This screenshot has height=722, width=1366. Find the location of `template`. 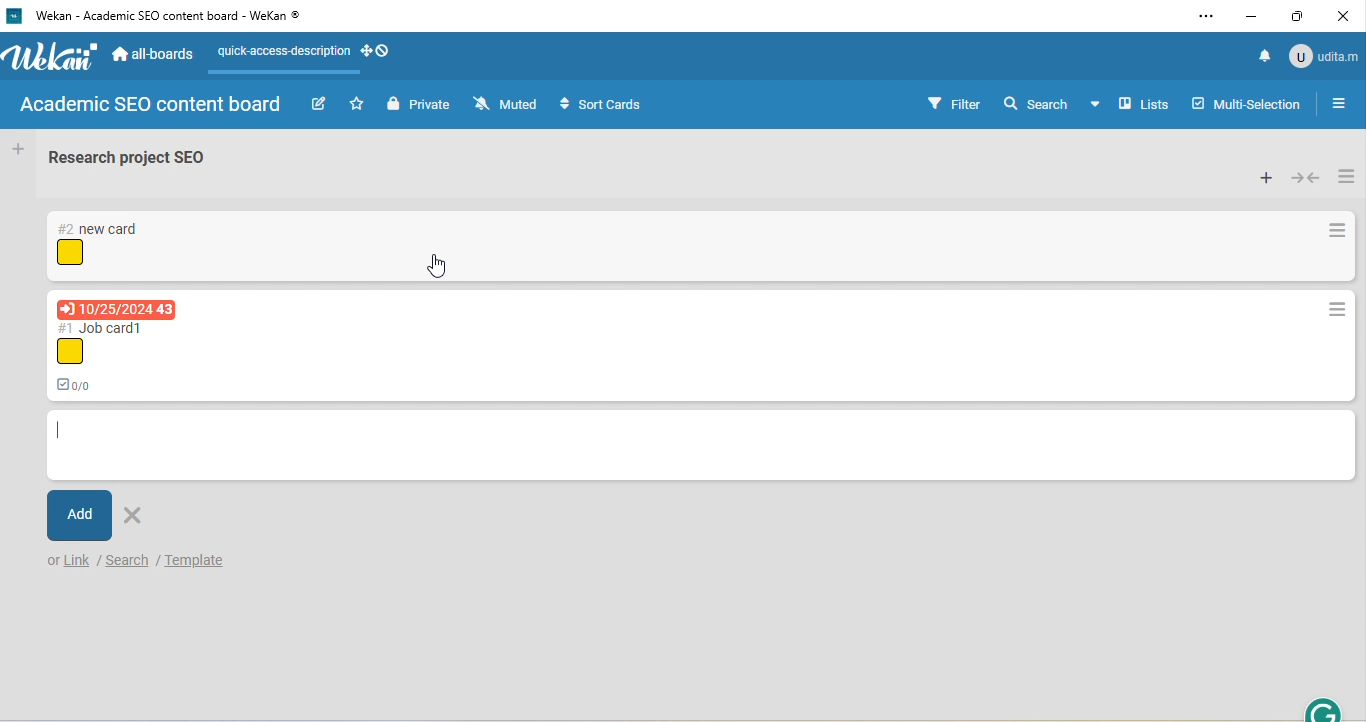

template is located at coordinates (209, 562).